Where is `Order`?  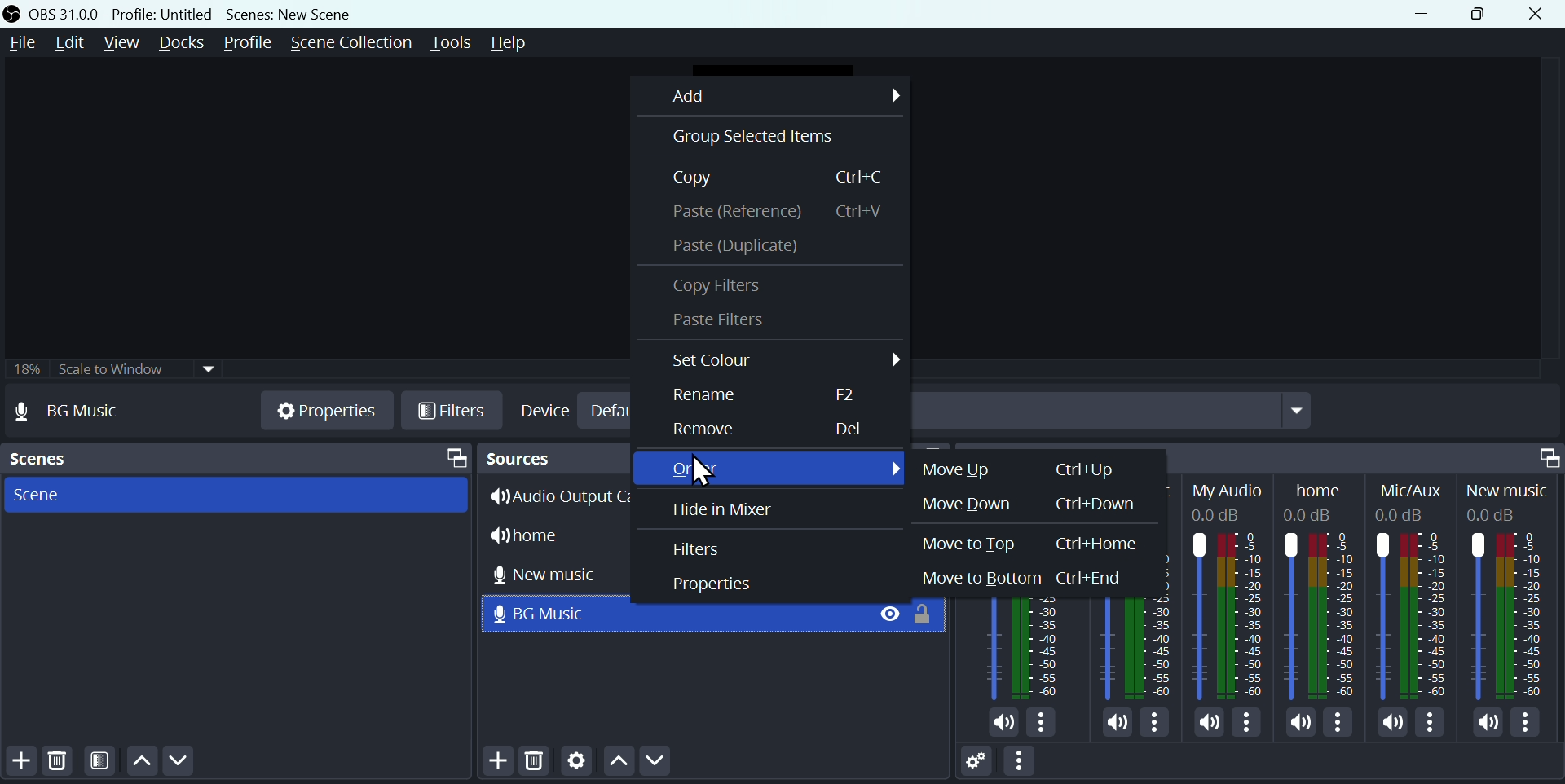
Order is located at coordinates (778, 467).